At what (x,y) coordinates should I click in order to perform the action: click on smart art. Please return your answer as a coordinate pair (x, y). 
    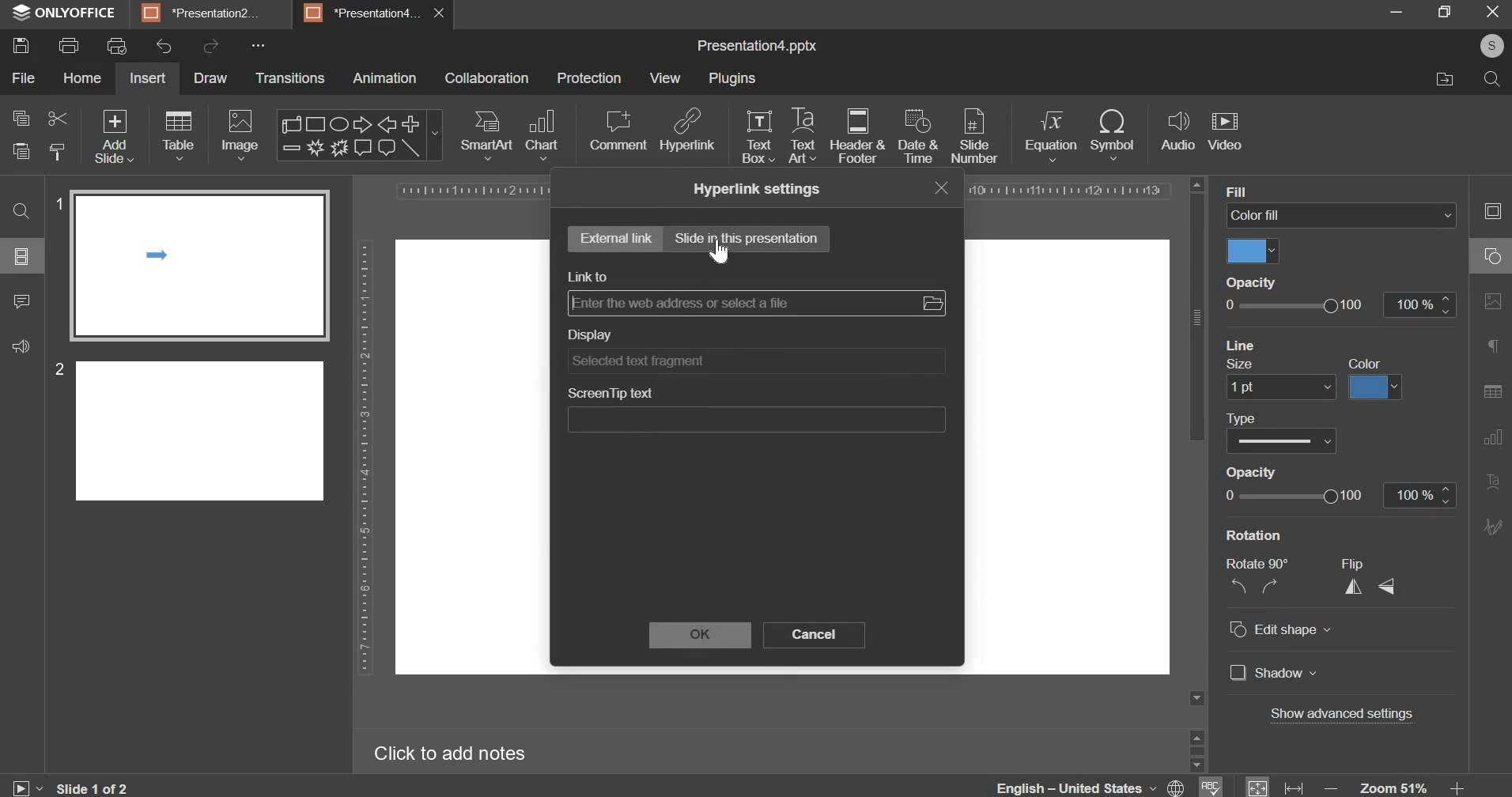
    Looking at the image, I should click on (488, 136).